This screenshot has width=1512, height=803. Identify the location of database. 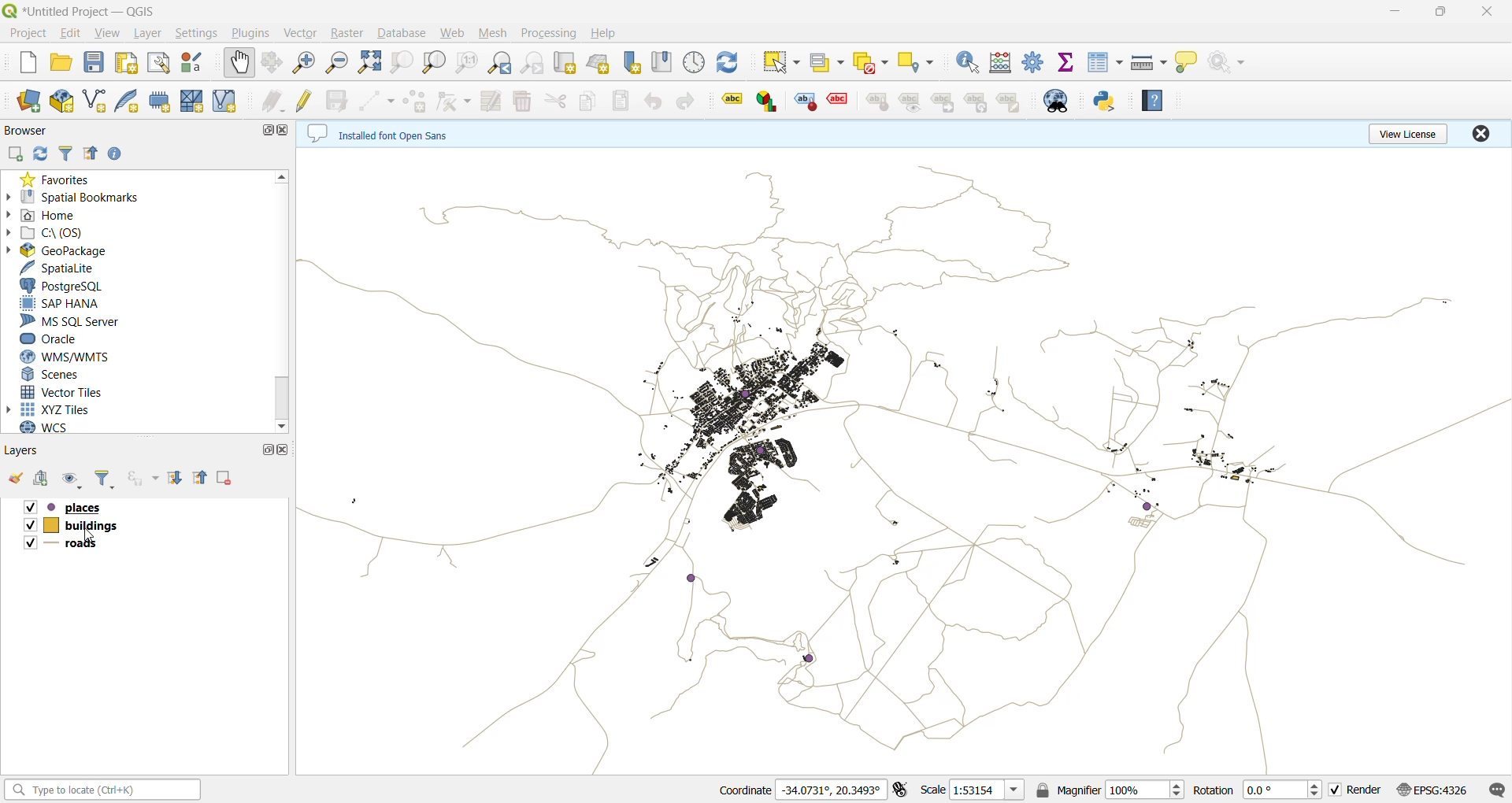
(404, 34).